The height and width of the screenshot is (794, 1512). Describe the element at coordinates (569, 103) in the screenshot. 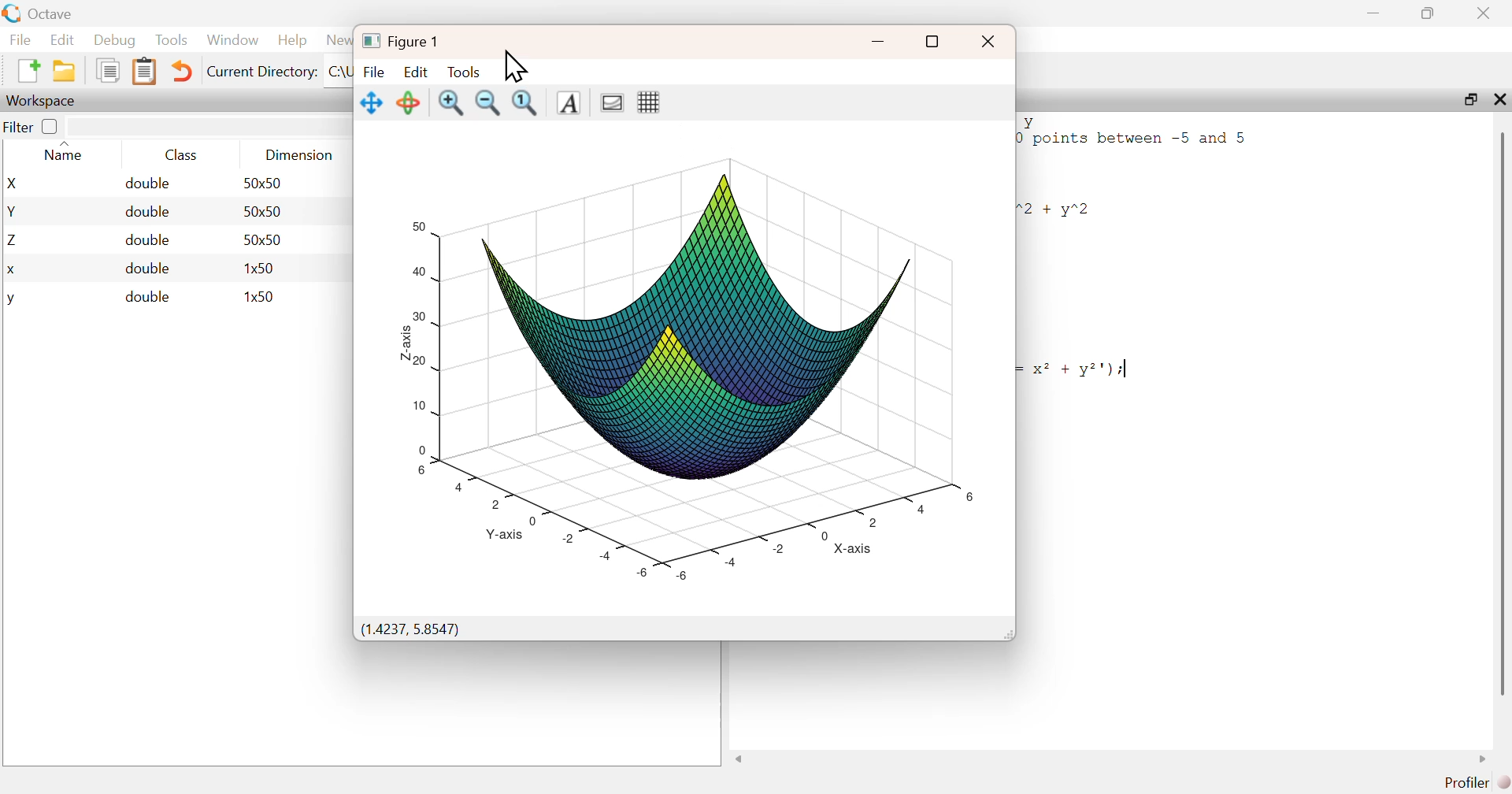

I see `Text` at that location.